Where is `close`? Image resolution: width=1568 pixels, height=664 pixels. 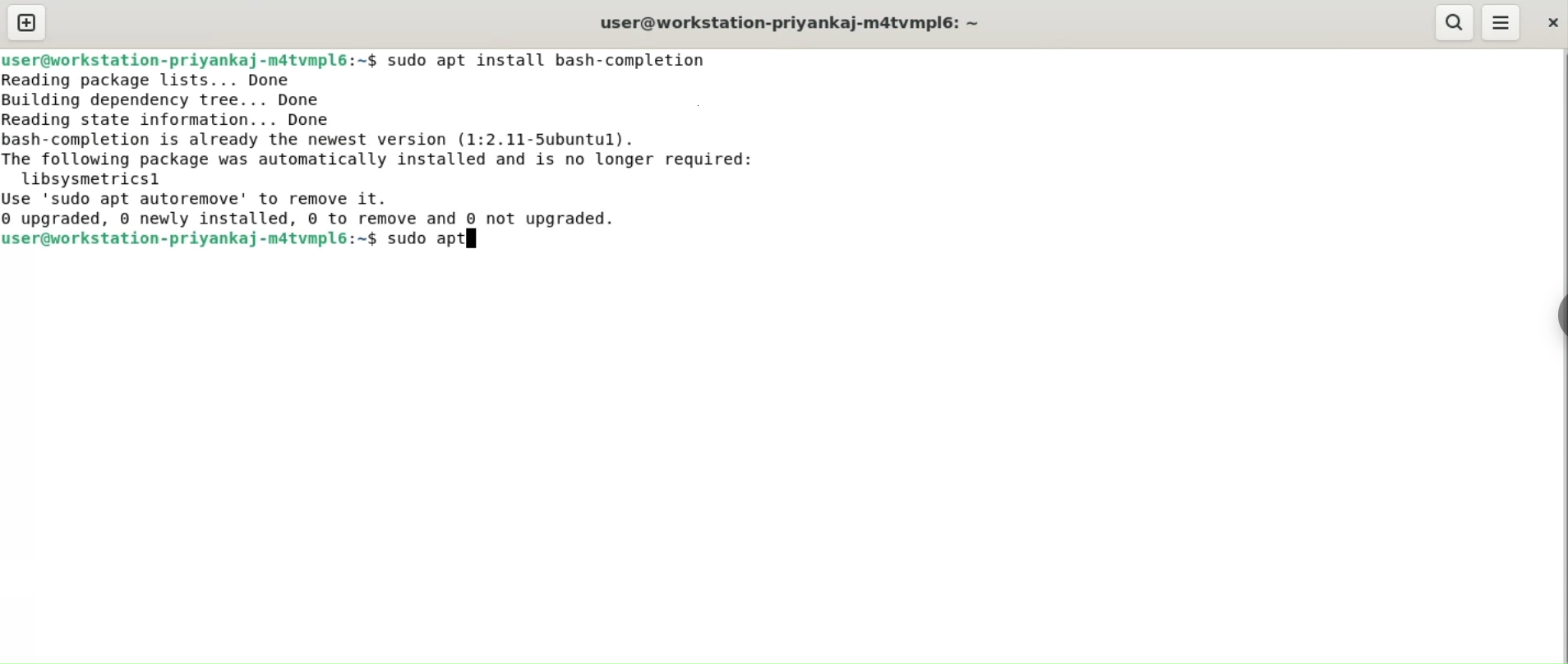 close is located at coordinates (1549, 25).